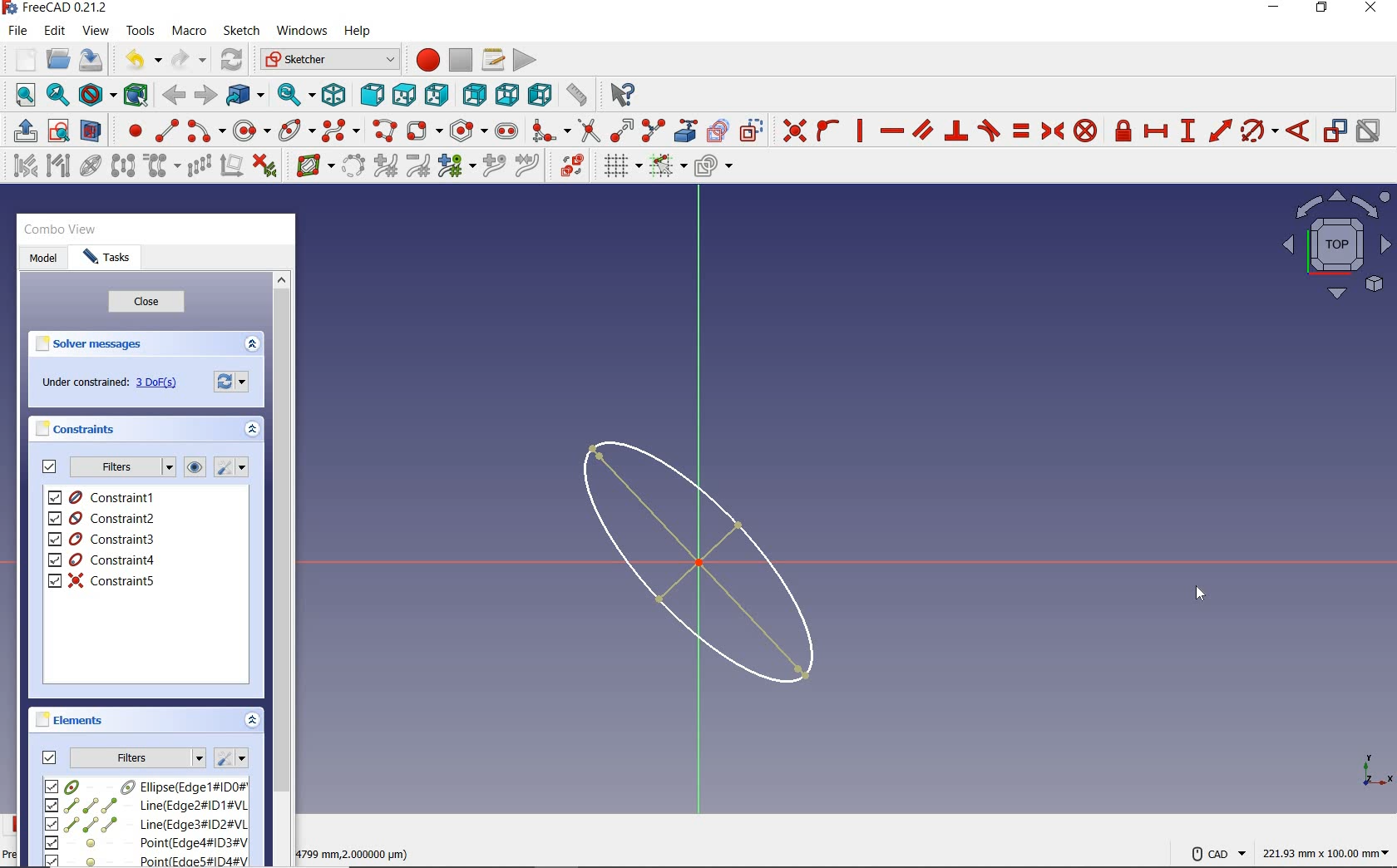 The width and height of the screenshot is (1397, 868). Describe the element at coordinates (383, 166) in the screenshot. I see `increase B-Spline Degree` at that location.